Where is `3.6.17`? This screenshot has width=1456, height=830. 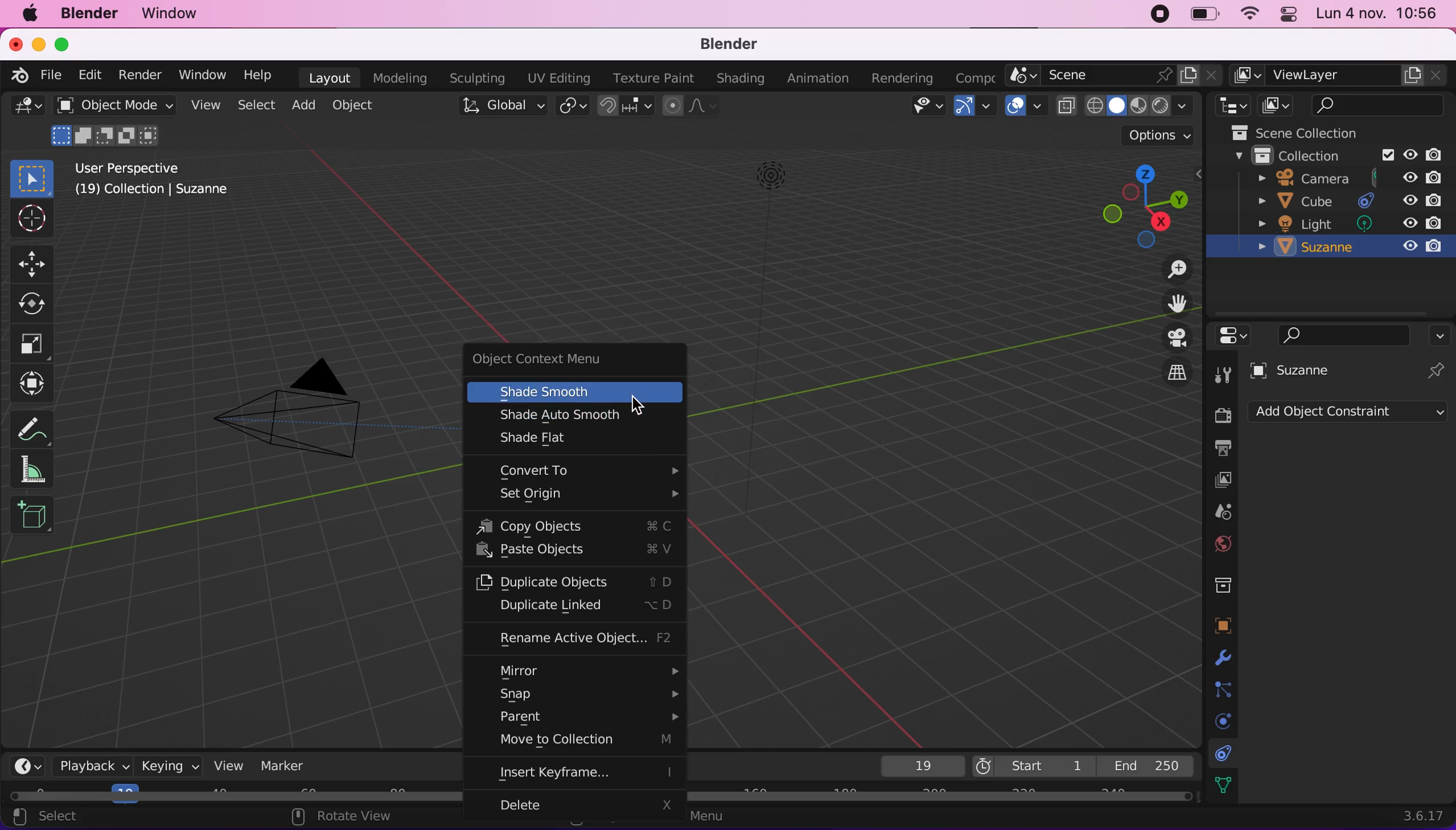 3.6.17 is located at coordinates (1410, 815).